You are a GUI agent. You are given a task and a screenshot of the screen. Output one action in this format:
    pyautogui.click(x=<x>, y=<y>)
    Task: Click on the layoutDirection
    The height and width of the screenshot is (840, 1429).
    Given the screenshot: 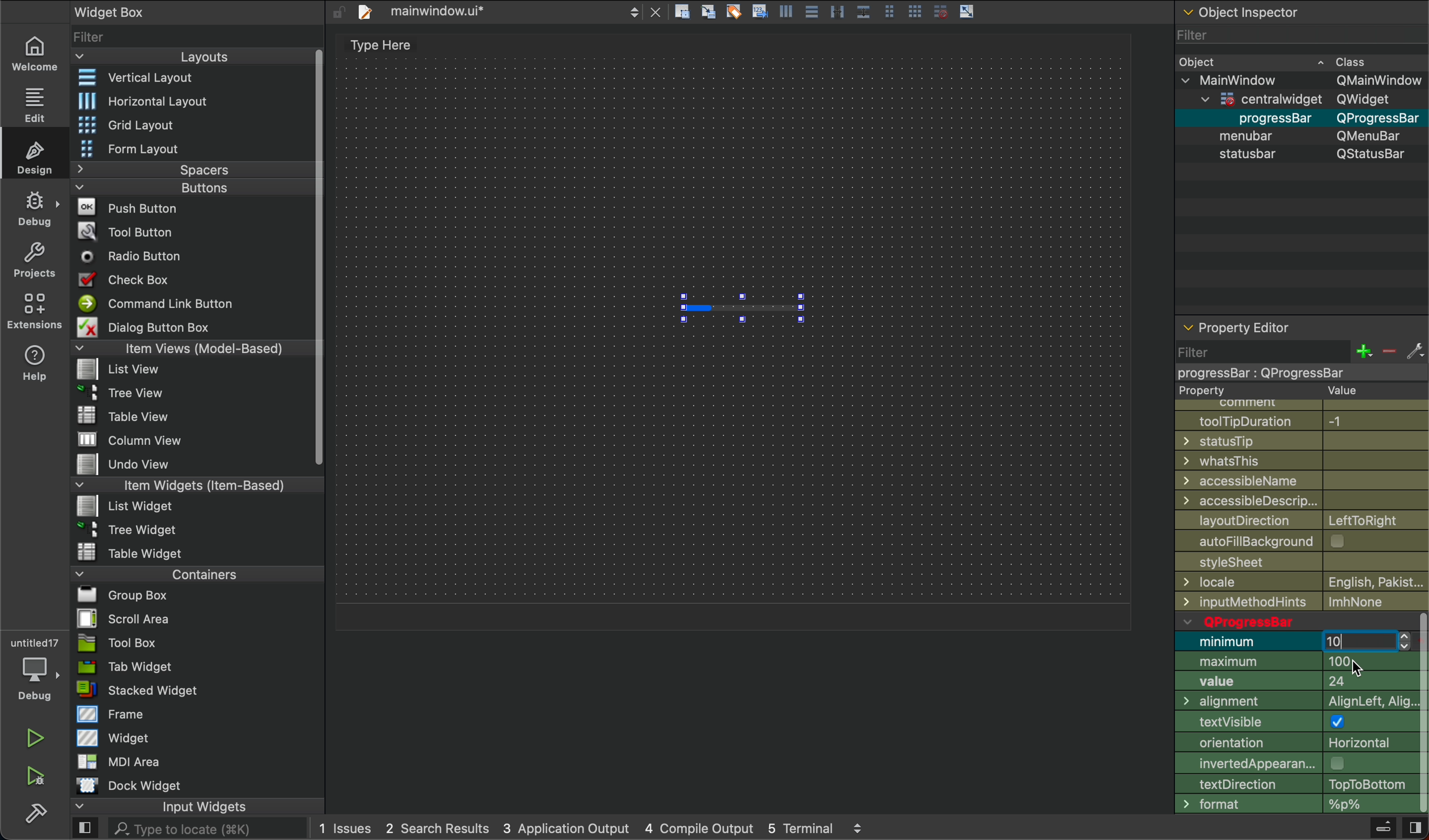 What is the action you would take?
    pyautogui.click(x=1302, y=519)
    